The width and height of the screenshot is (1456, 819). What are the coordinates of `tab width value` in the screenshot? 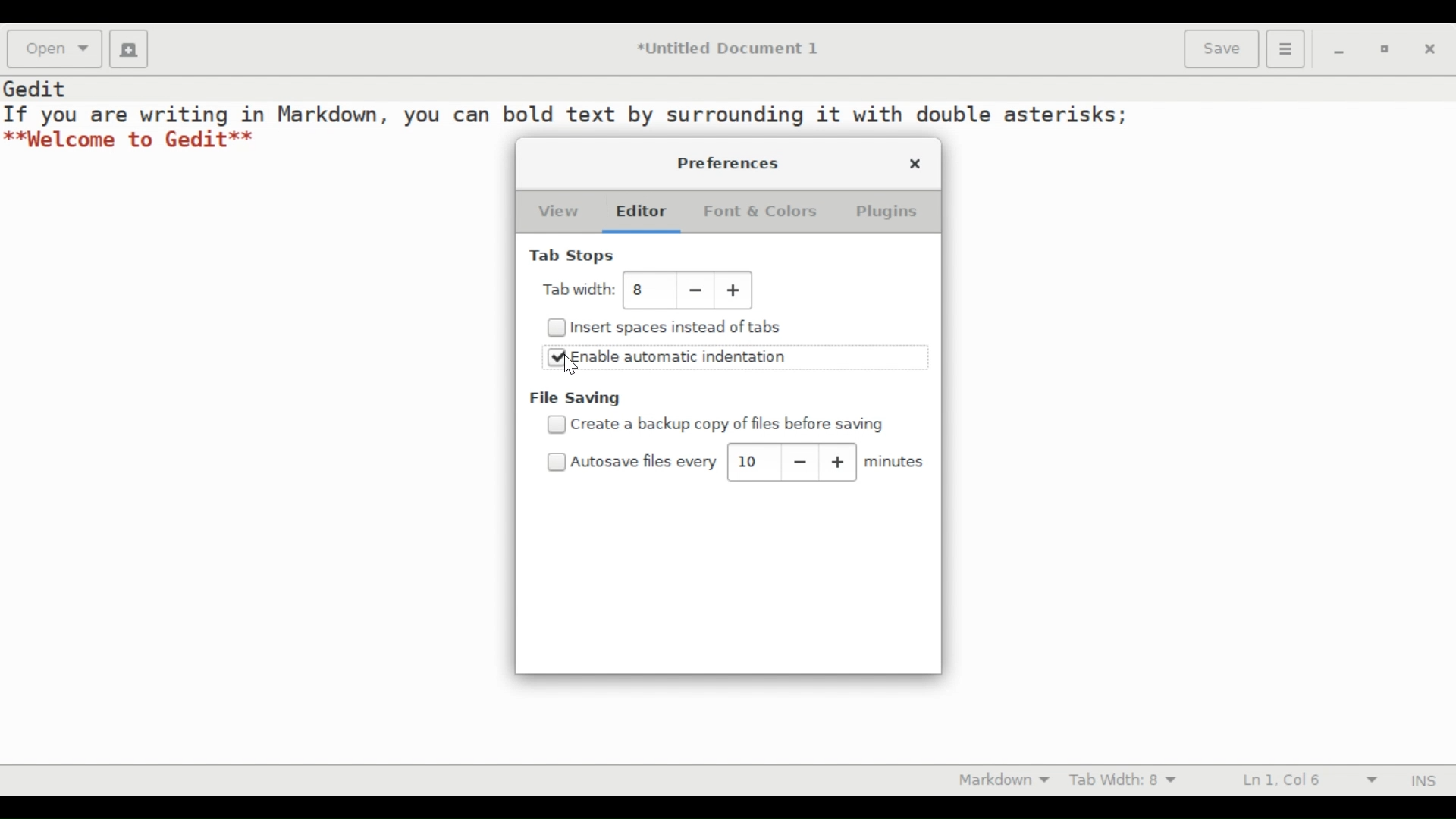 It's located at (649, 290).